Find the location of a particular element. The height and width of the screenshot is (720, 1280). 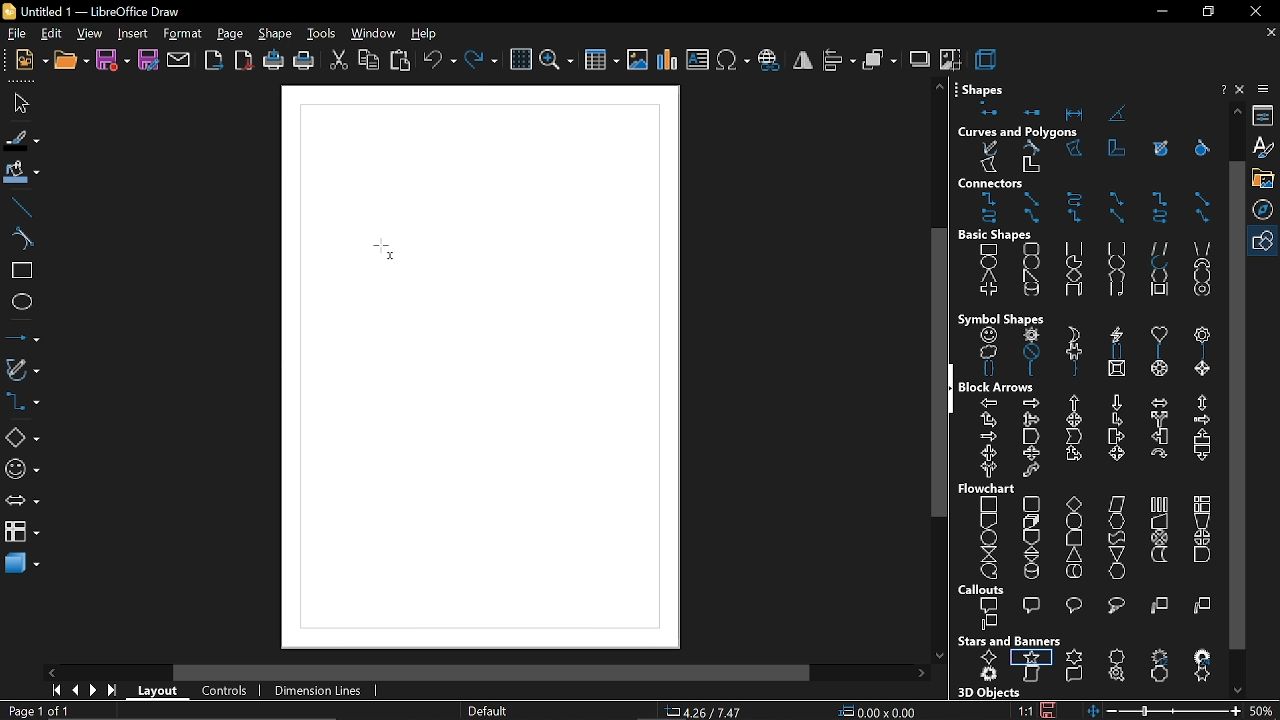

redo is located at coordinates (481, 60).